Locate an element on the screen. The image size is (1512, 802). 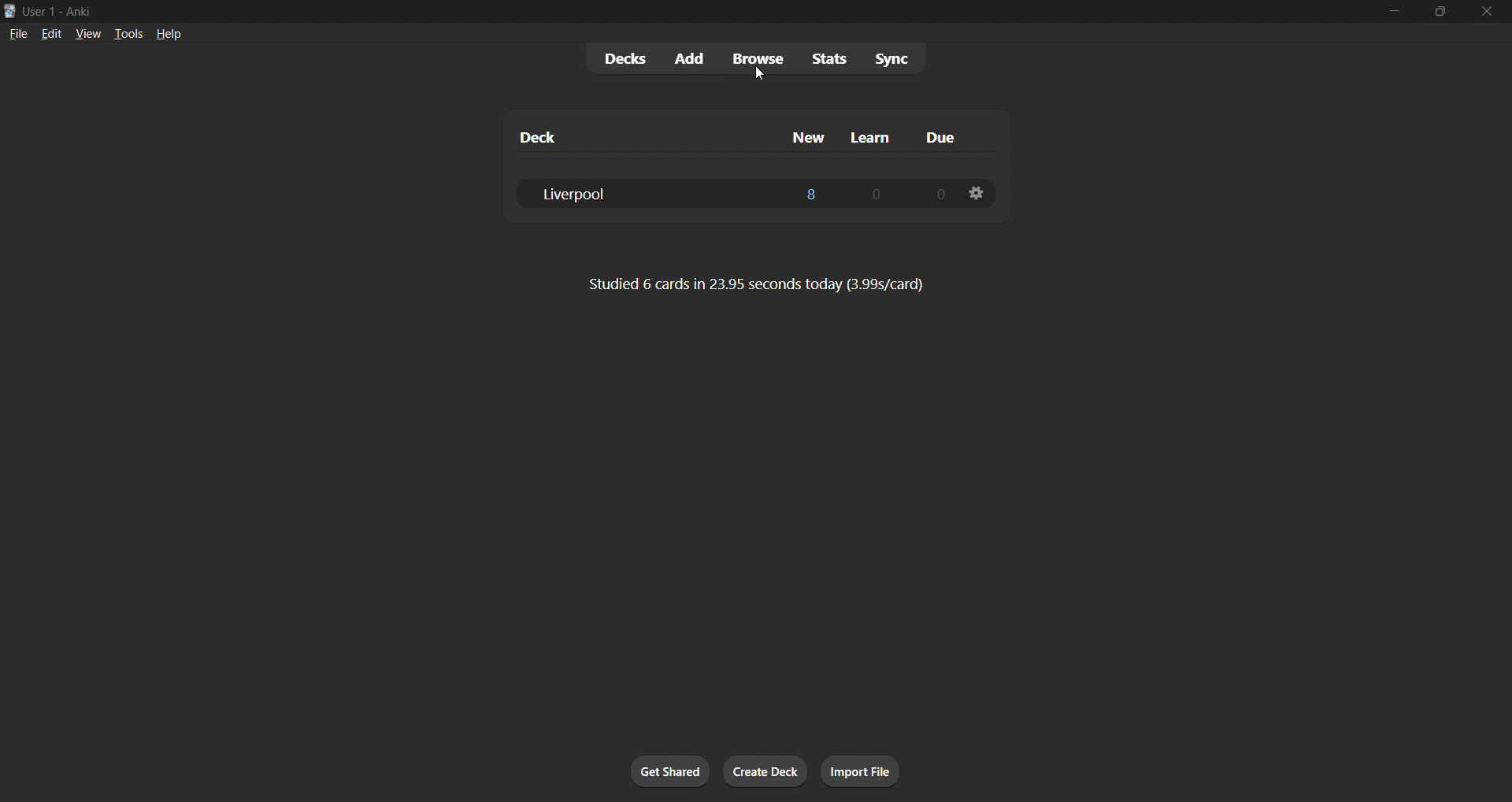
sync is located at coordinates (895, 62).